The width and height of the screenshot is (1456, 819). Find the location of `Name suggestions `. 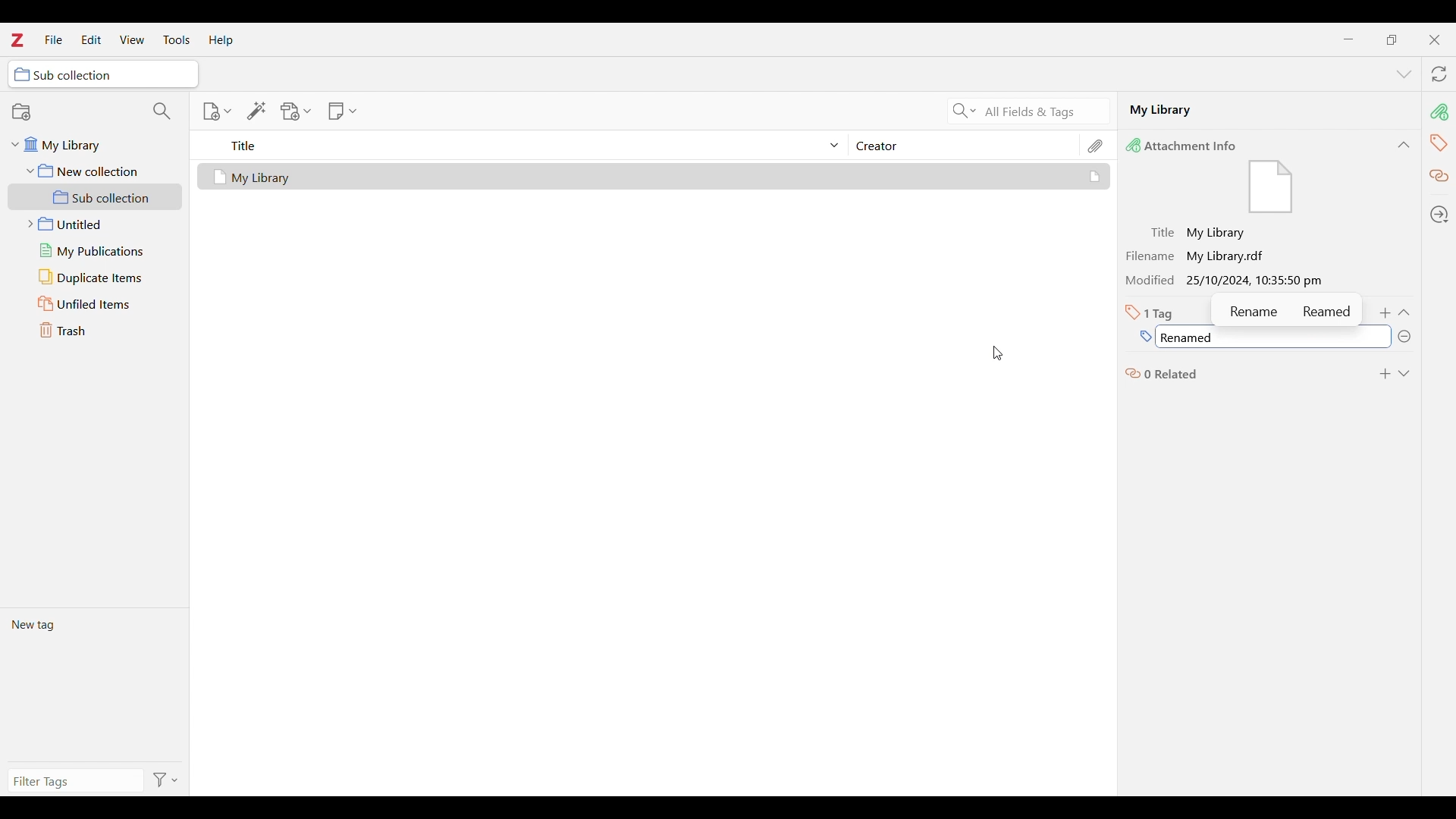

Name suggestions  is located at coordinates (1287, 310).